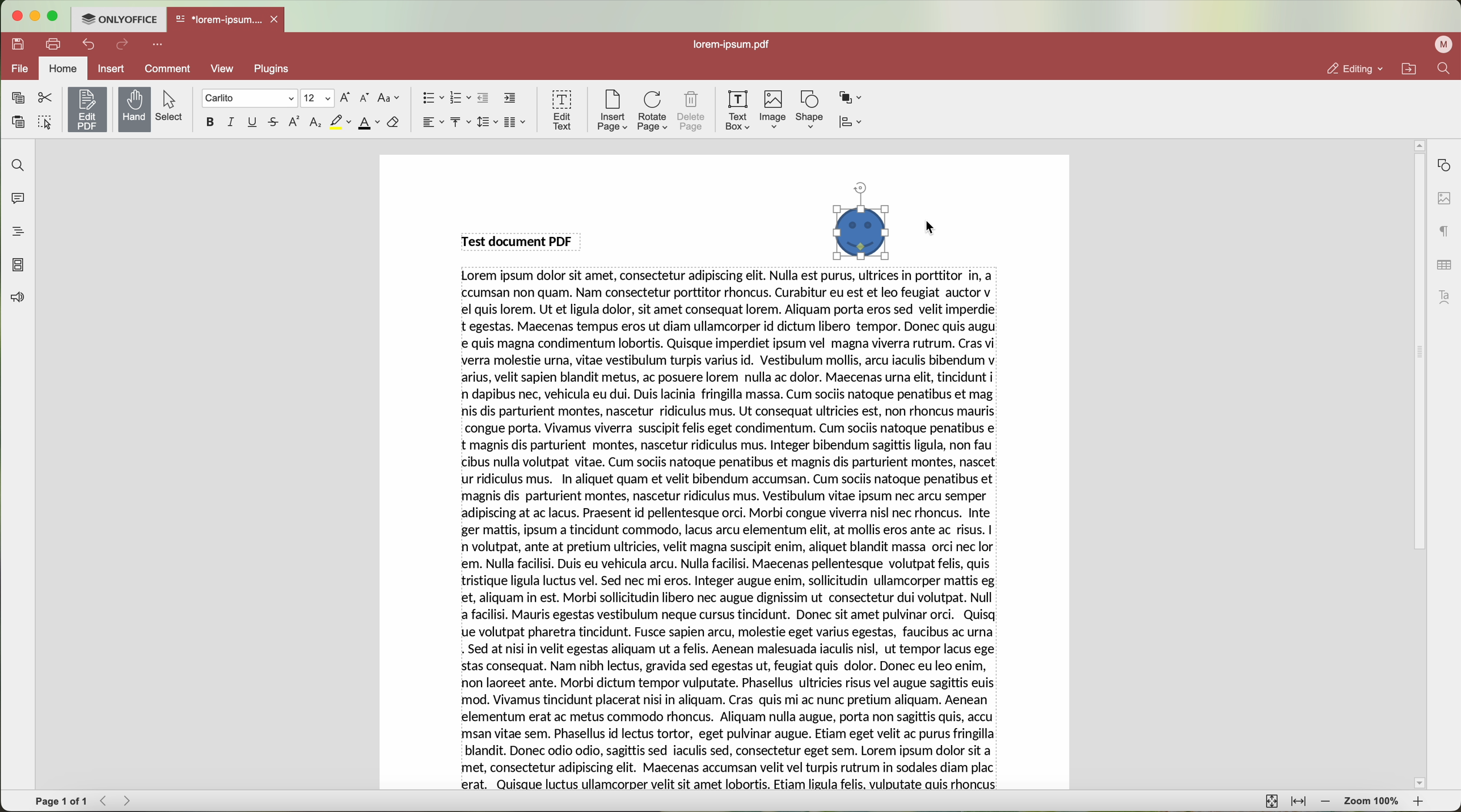  Describe the element at coordinates (47, 124) in the screenshot. I see `select all` at that location.